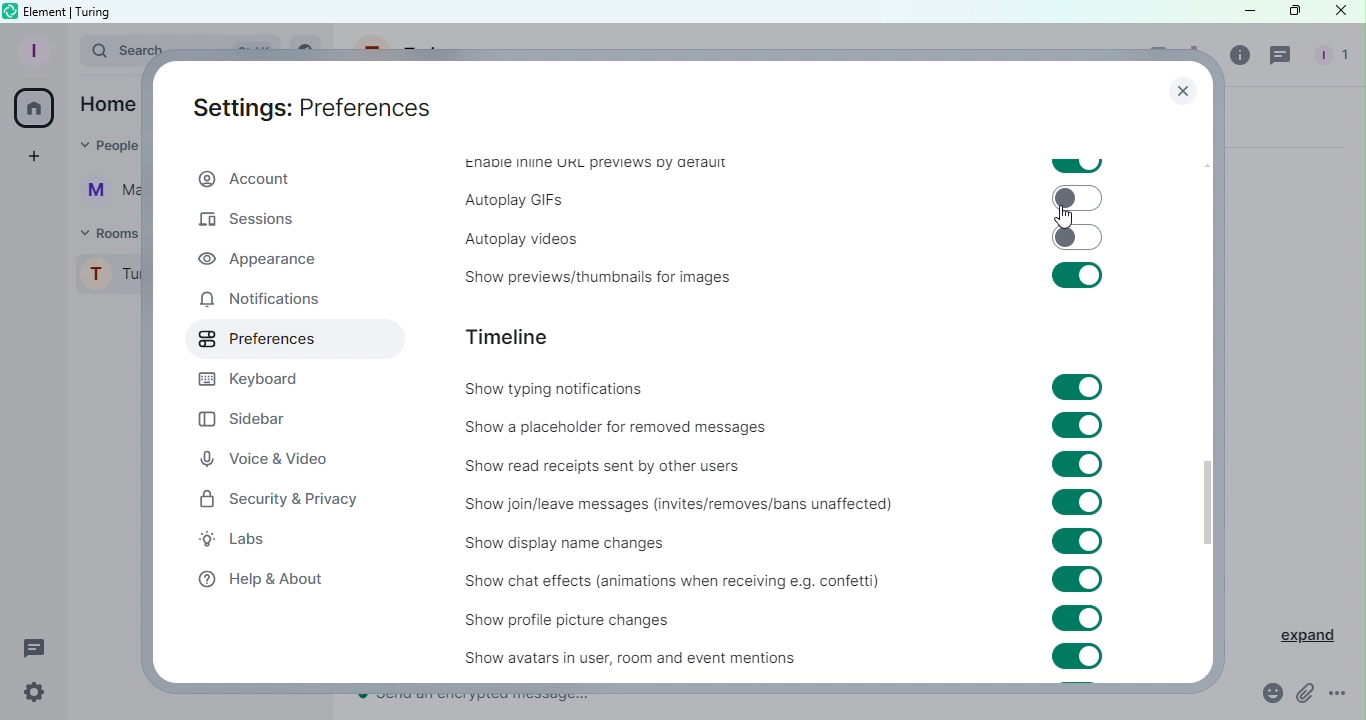  I want to click on Show profile picture changes, so click(586, 619).